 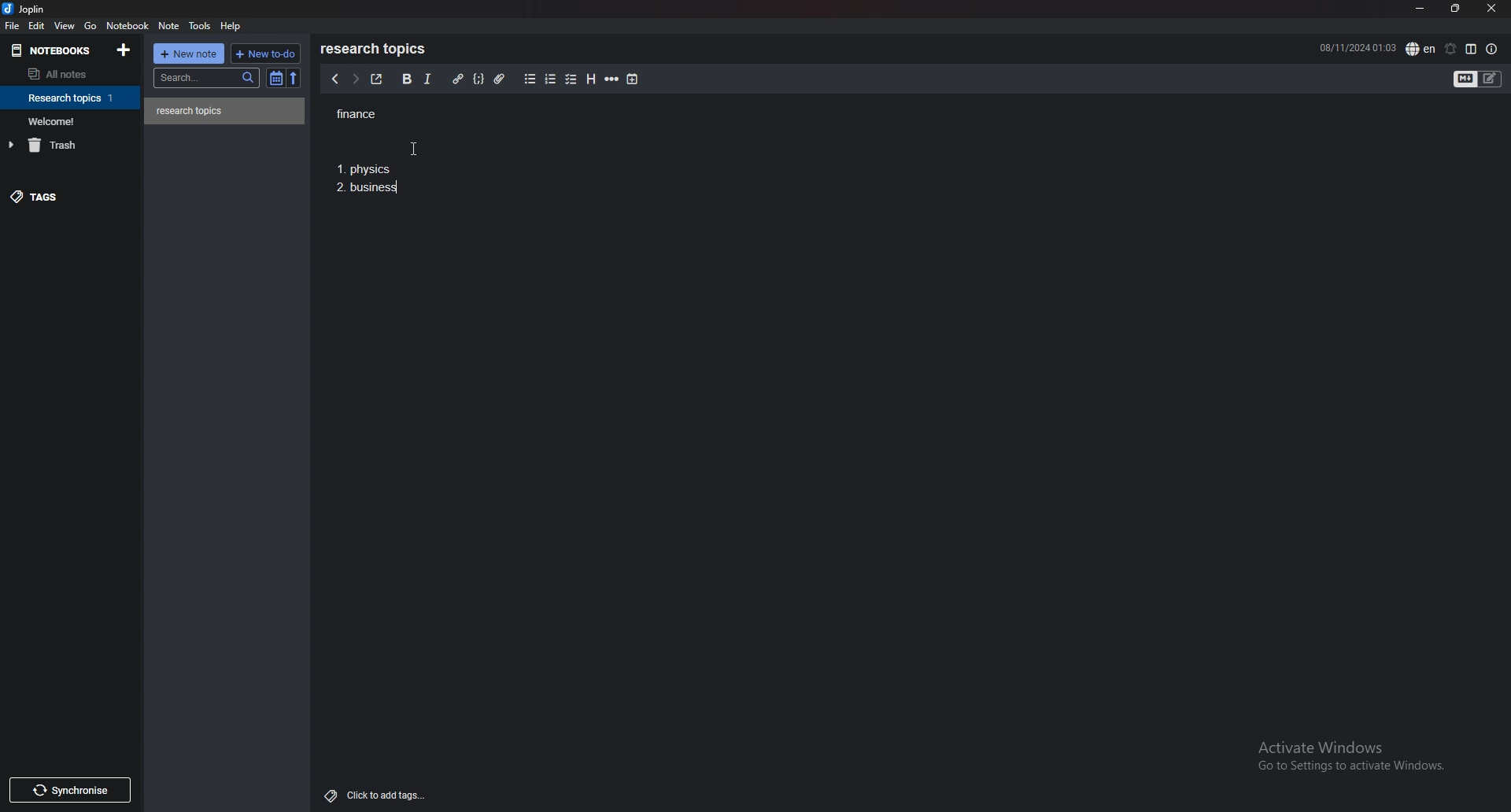 I want to click on next, so click(x=353, y=80).